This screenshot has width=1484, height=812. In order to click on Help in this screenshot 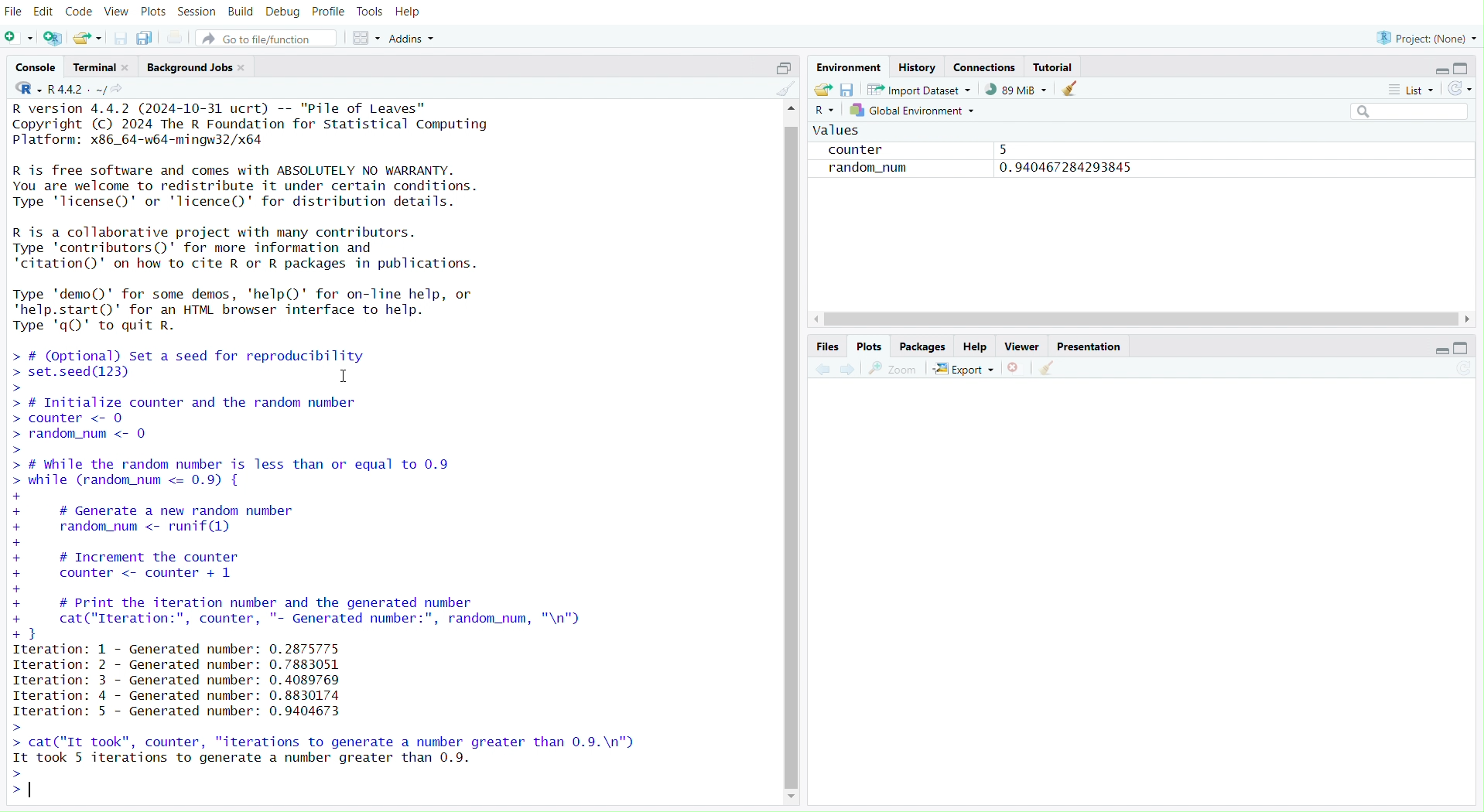, I will do `click(976, 346)`.